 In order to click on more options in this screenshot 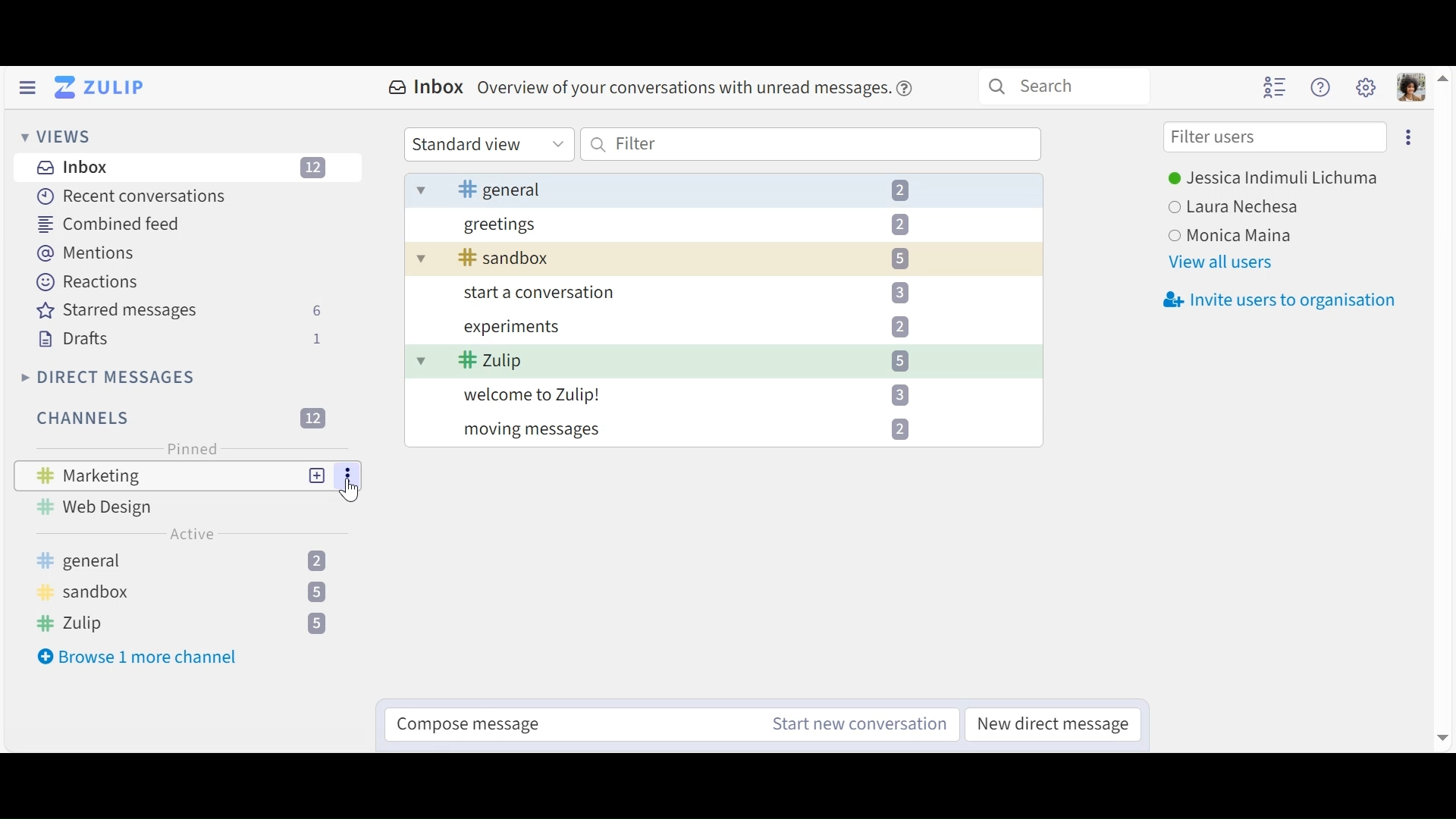, I will do `click(349, 476)`.